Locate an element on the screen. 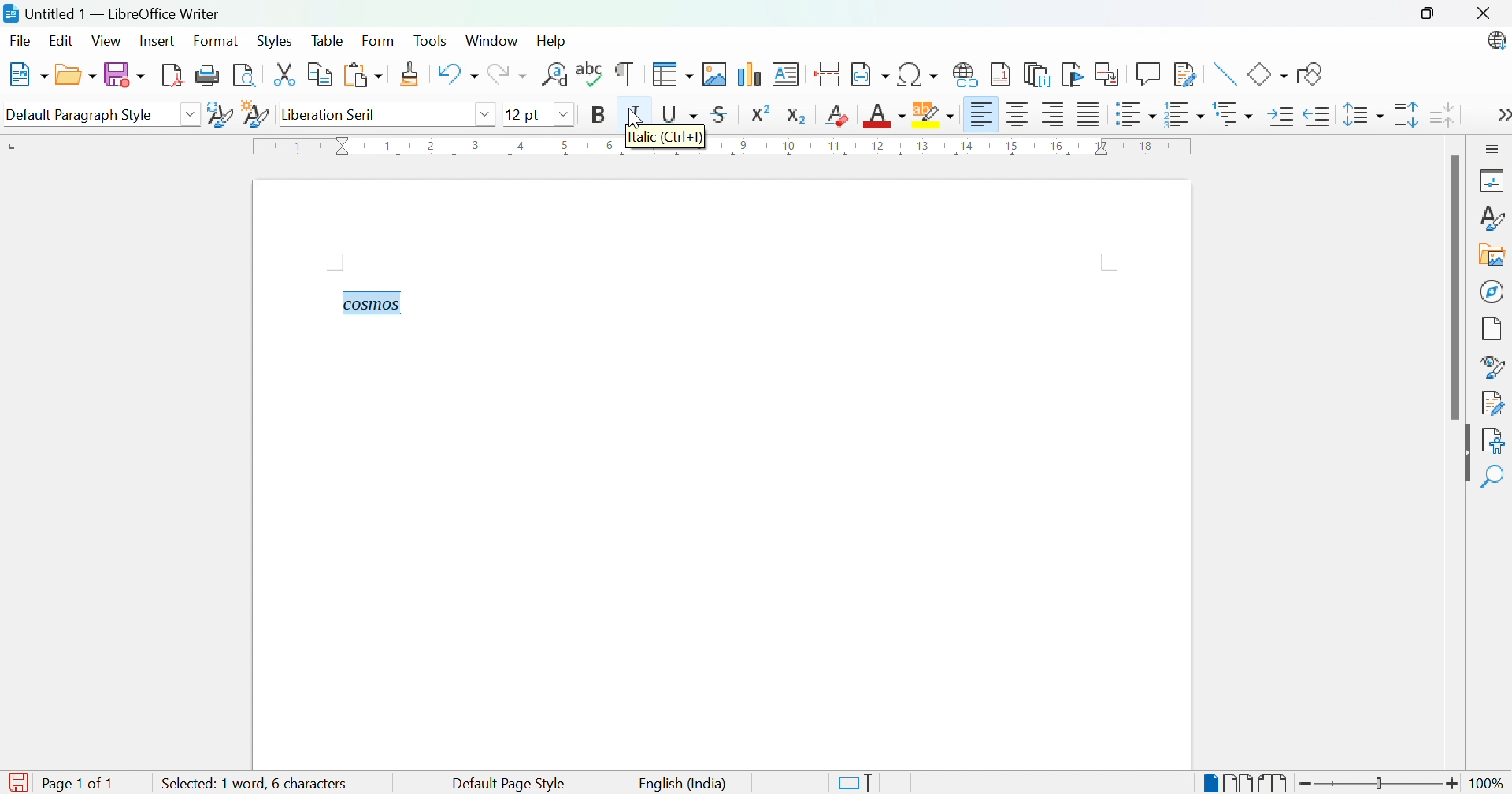 The width and height of the screenshot is (1512, 794). Slider is located at coordinates (1379, 783).